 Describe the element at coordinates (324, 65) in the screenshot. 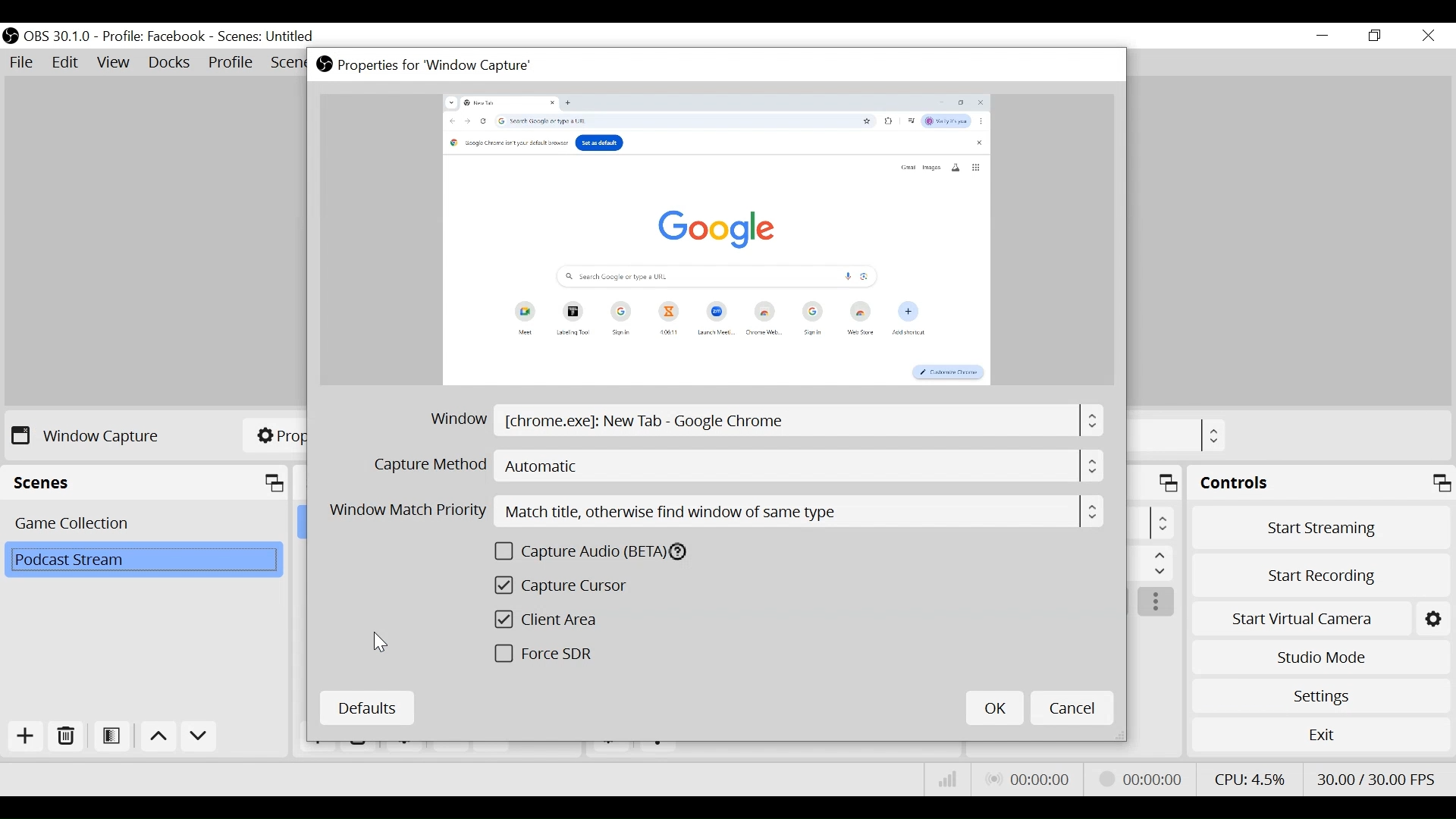

I see `OBS Studio` at that location.